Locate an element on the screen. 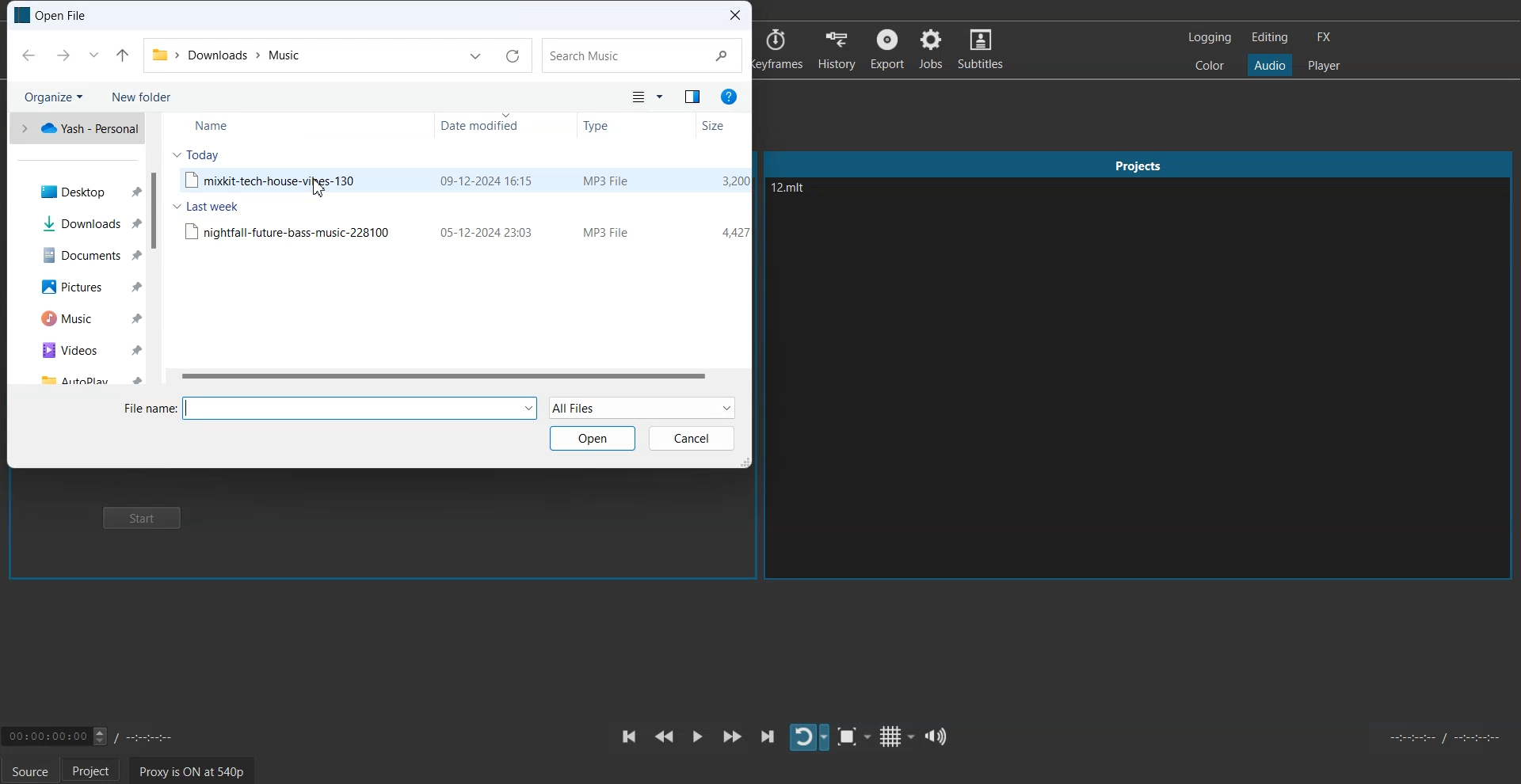  Toggle Zoom is located at coordinates (853, 737).